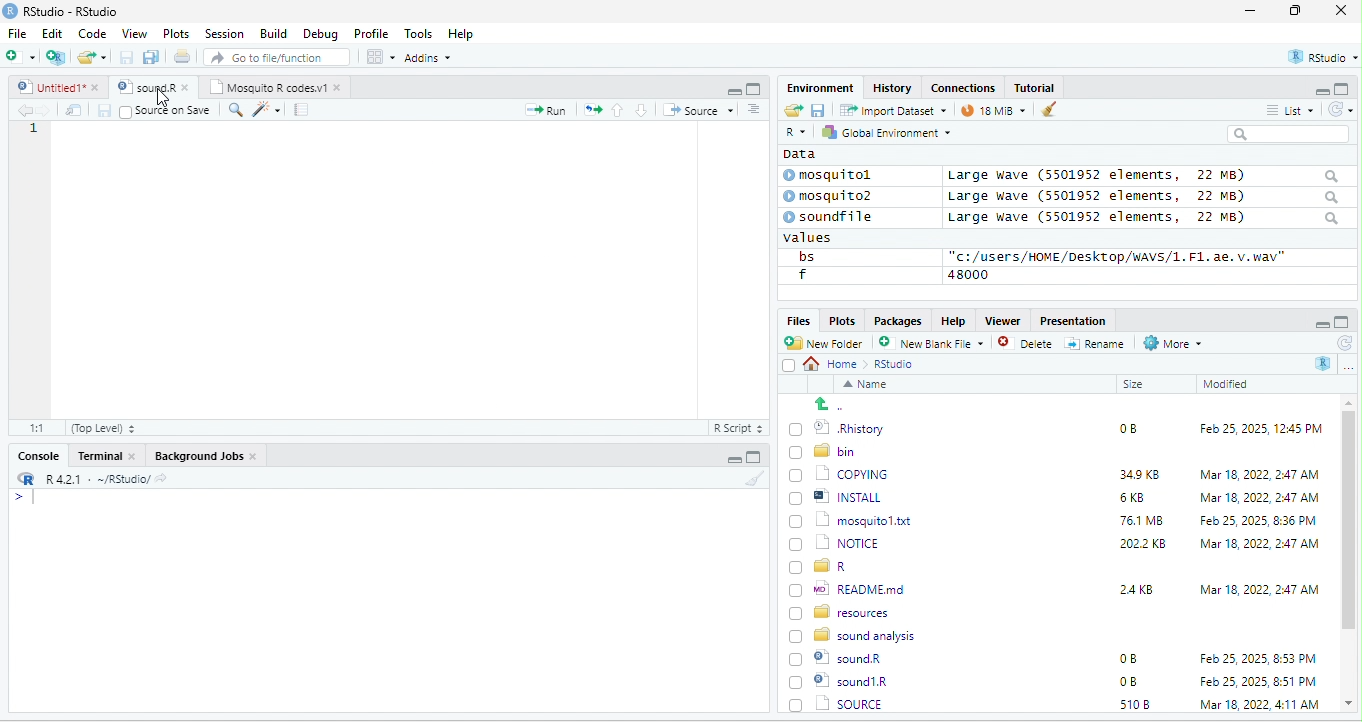  I want to click on History, so click(893, 87).